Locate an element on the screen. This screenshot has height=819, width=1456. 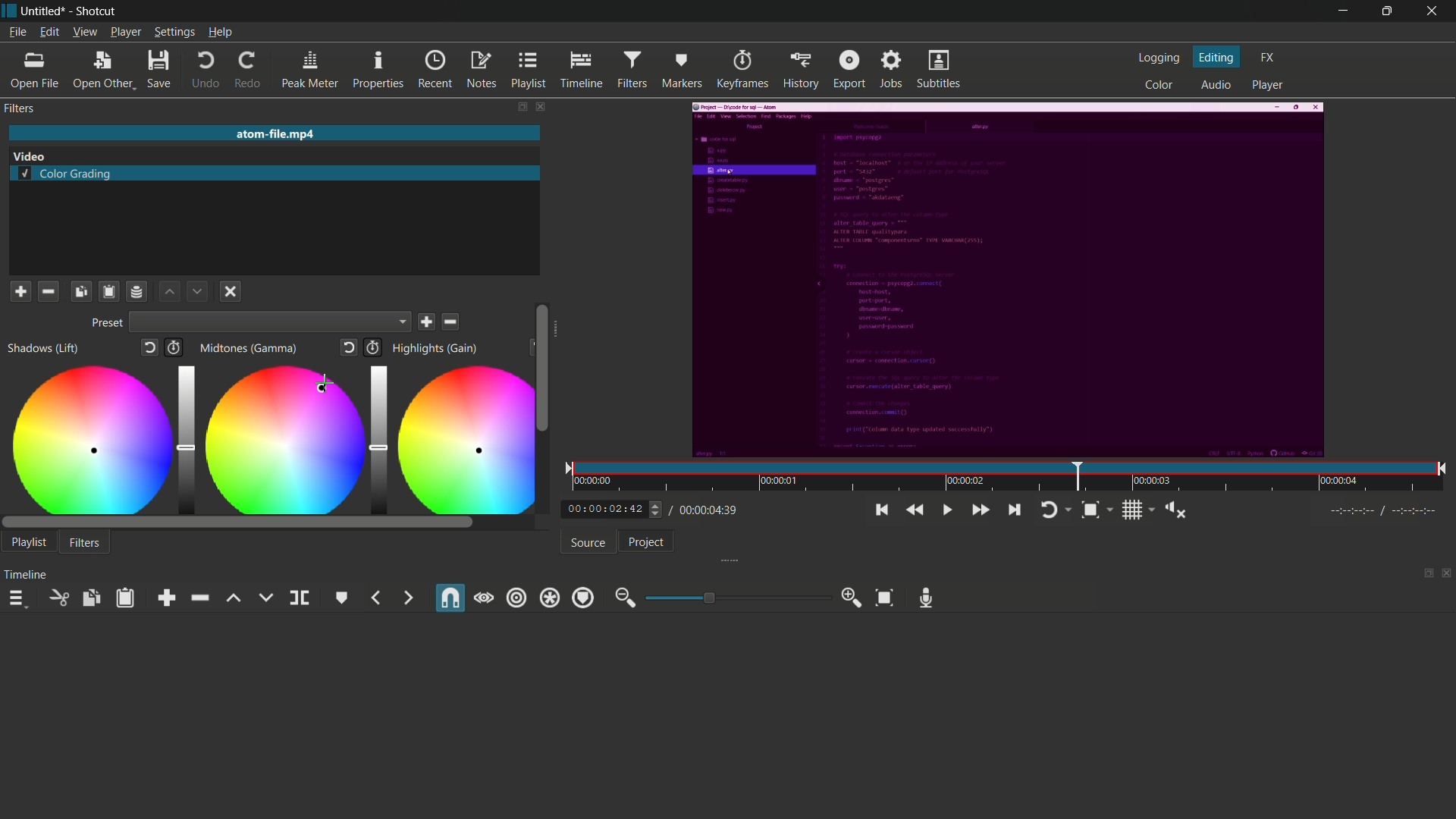
save is located at coordinates (158, 72).